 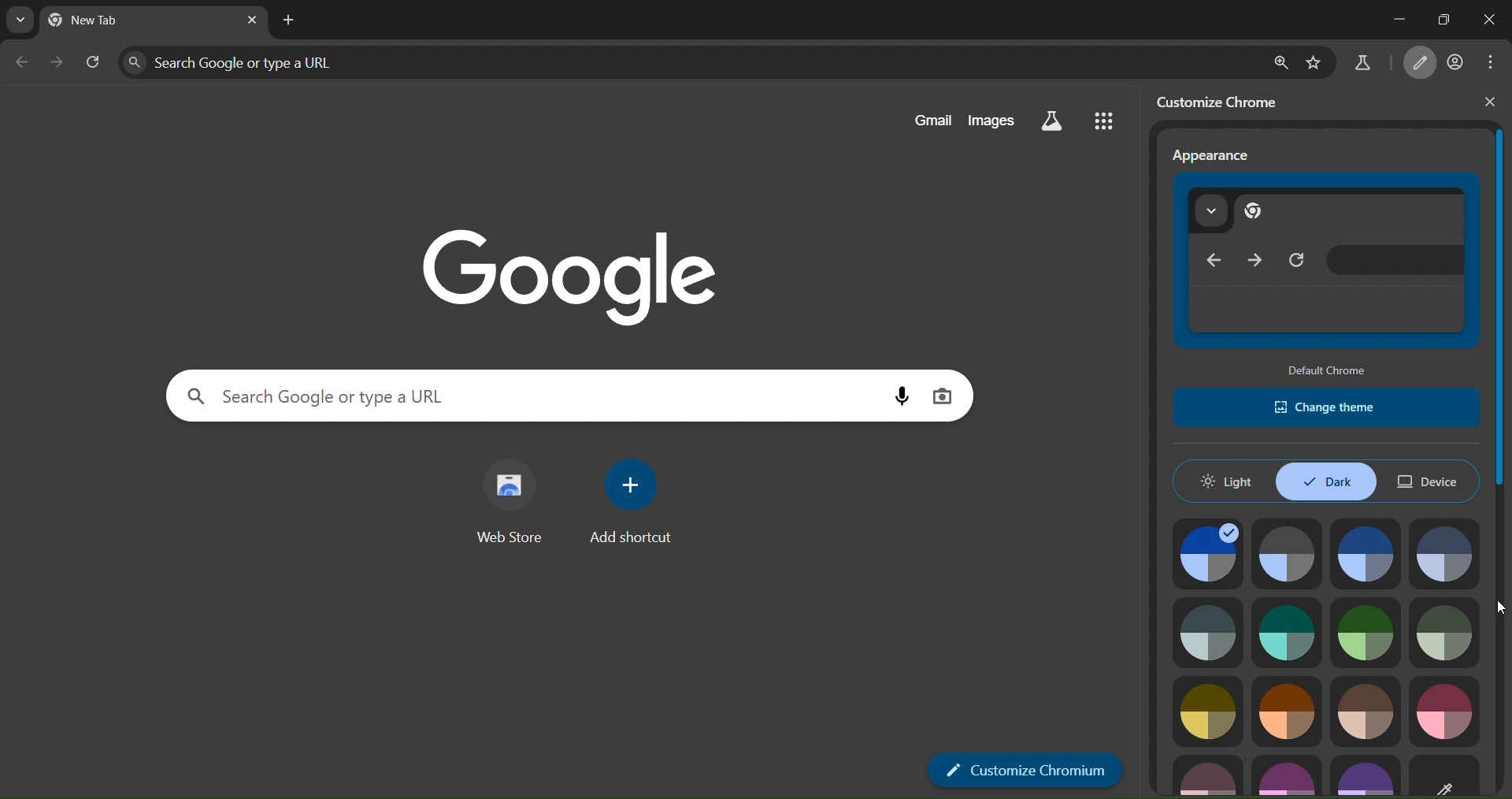 I want to click on close, so click(x=1487, y=23).